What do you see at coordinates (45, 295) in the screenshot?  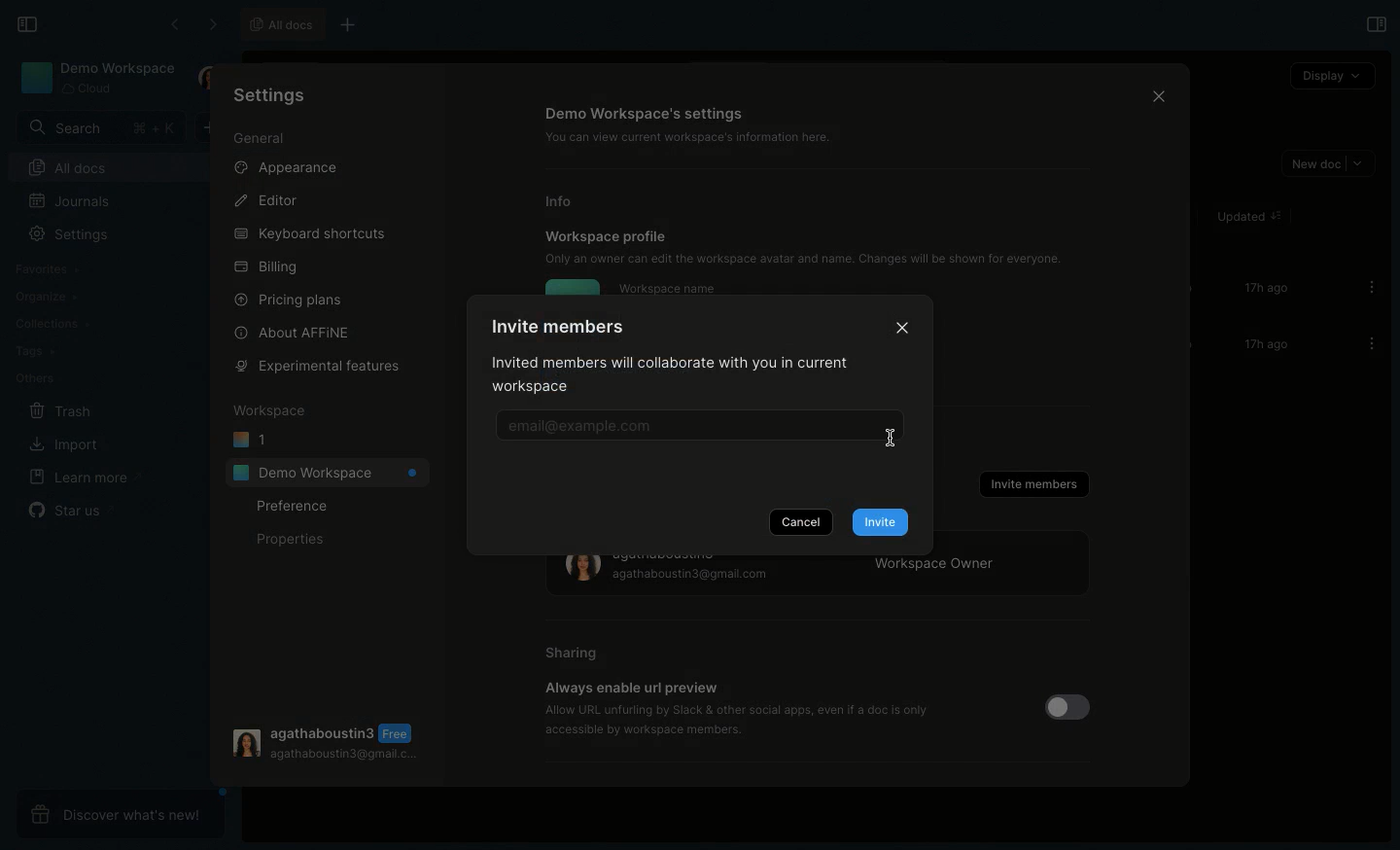 I see `Organize` at bounding box center [45, 295].